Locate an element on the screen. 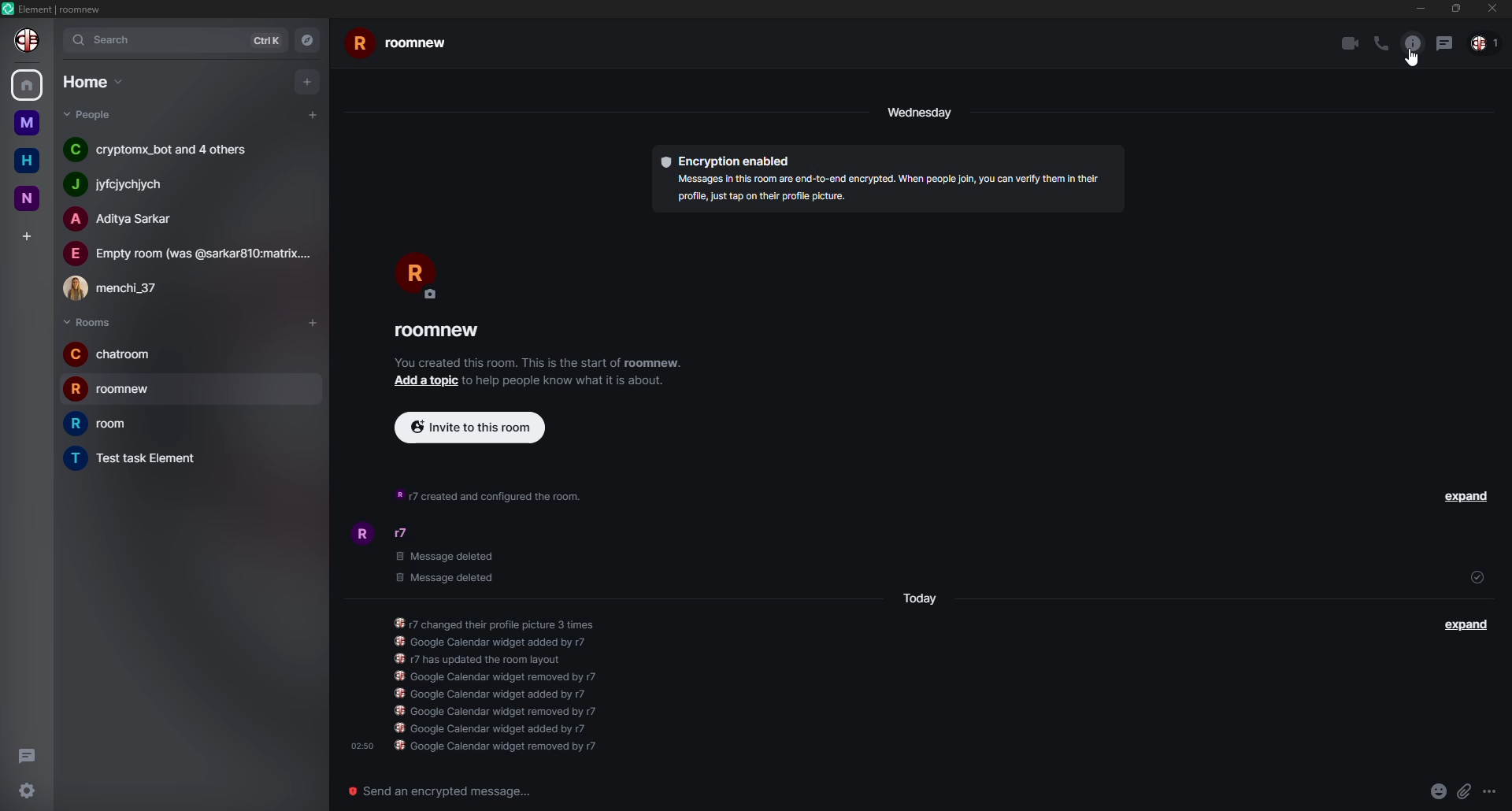 This screenshot has height=811, width=1512. people is located at coordinates (118, 287).